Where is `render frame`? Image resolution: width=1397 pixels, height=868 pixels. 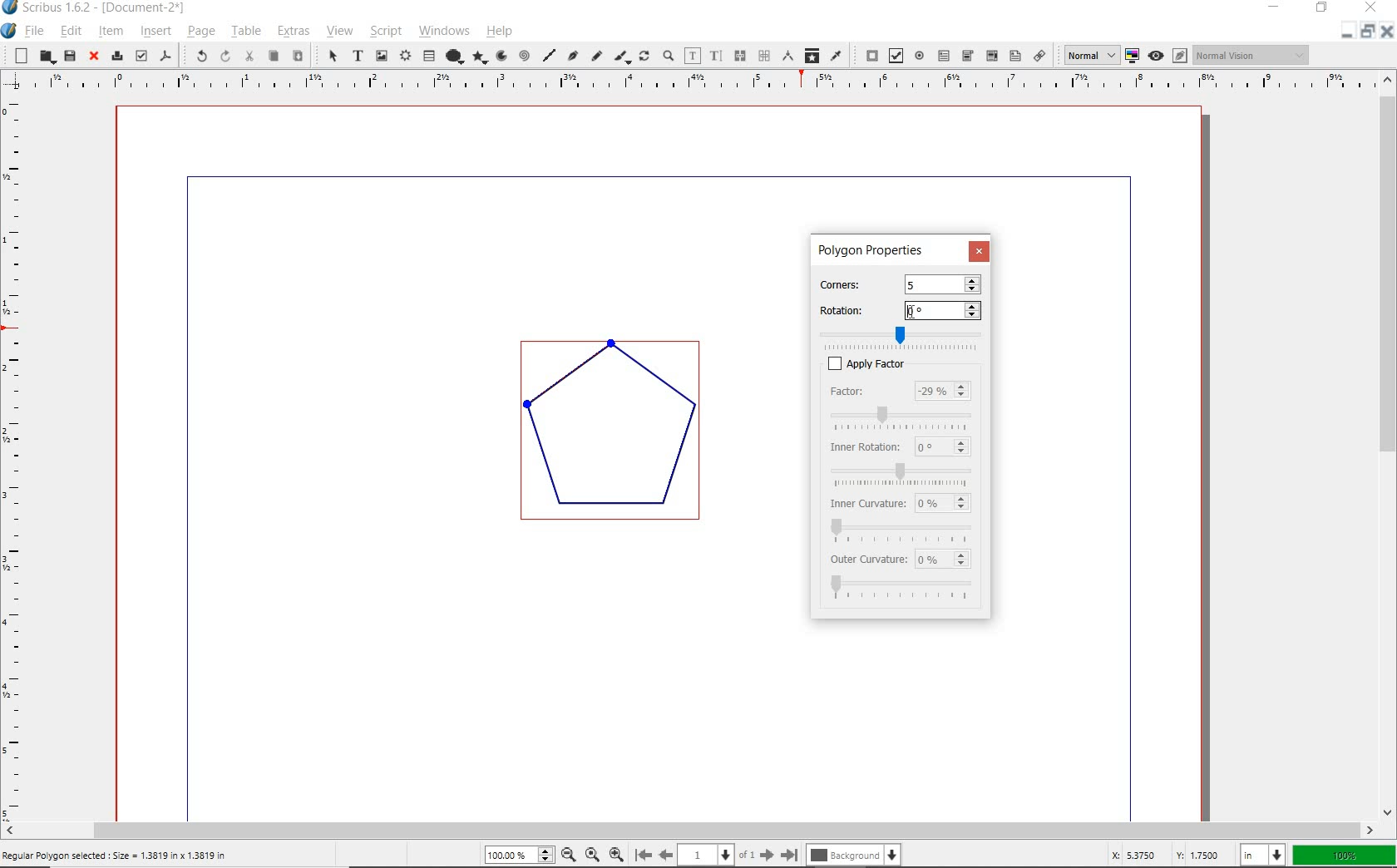 render frame is located at coordinates (405, 54).